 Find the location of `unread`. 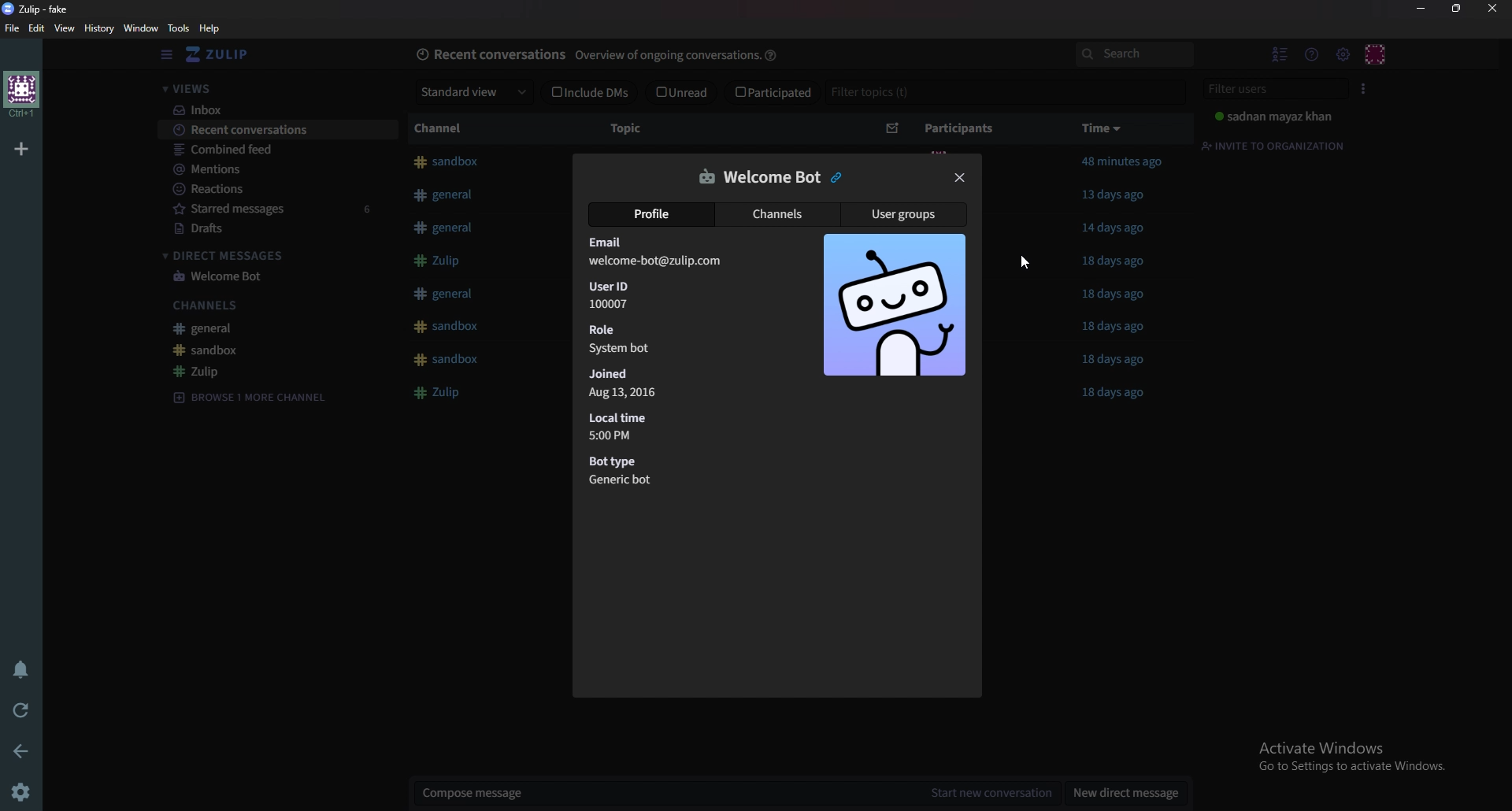

unread is located at coordinates (681, 93).